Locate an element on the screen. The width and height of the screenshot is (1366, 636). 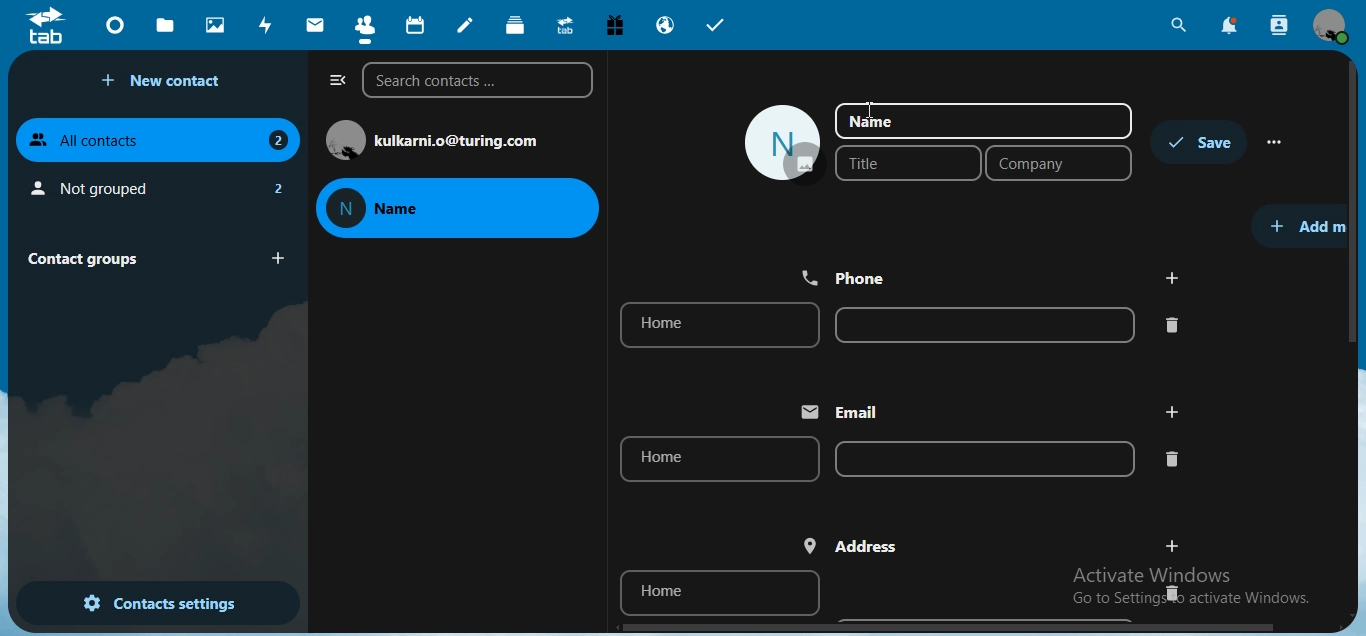
text is located at coordinates (462, 140).